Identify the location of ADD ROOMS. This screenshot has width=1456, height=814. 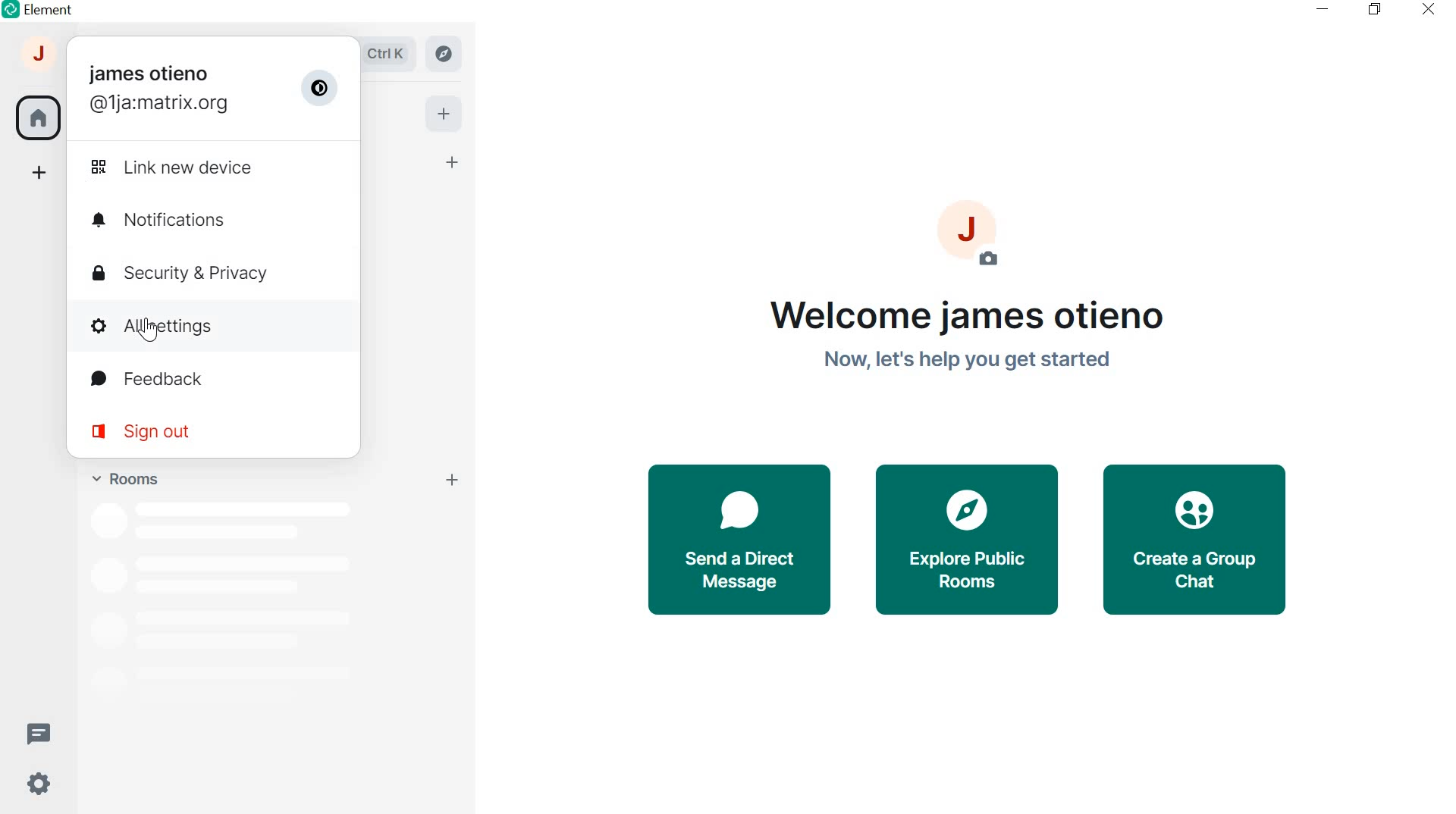
(455, 480).